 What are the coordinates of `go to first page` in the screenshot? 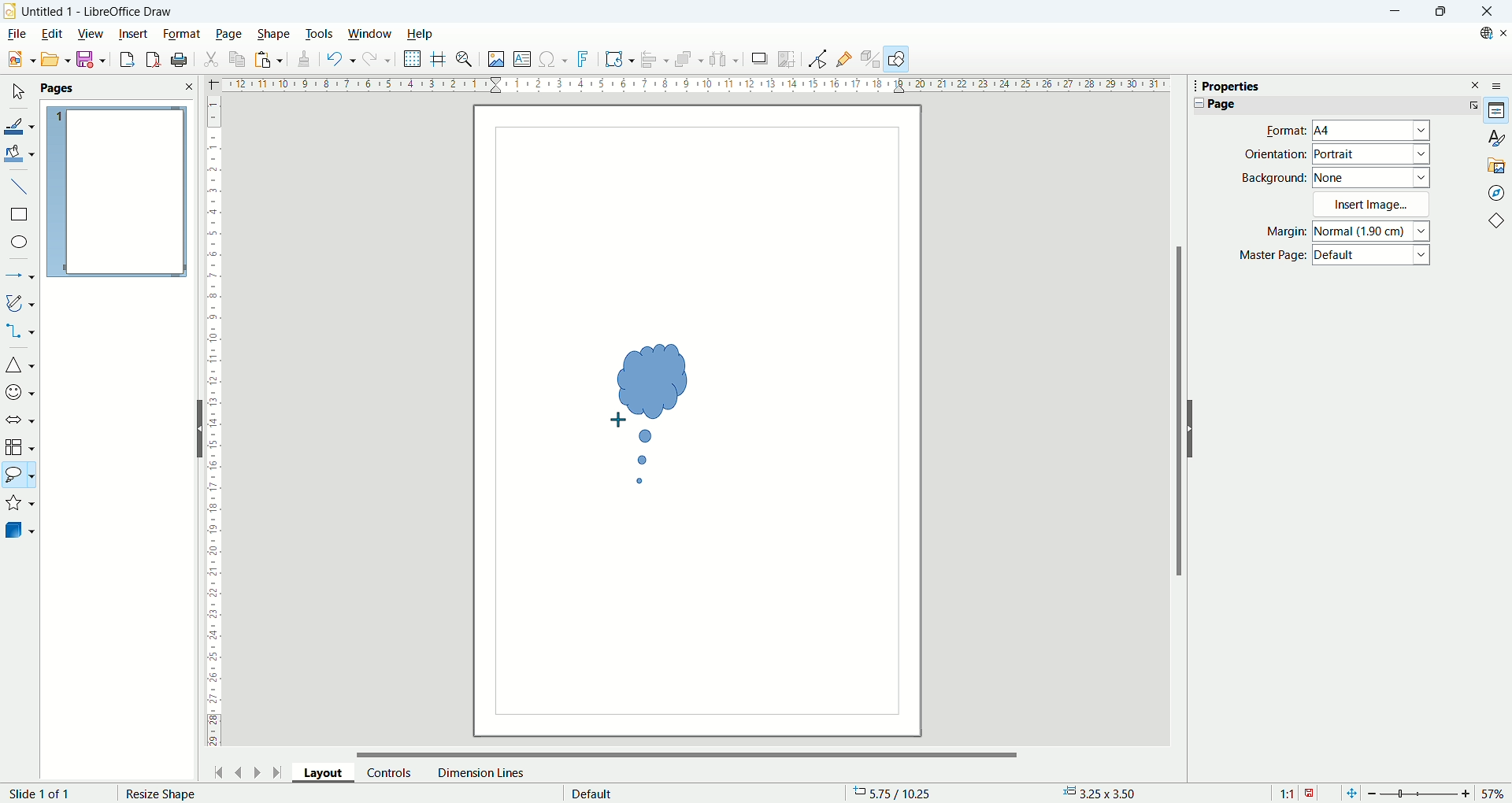 It's located at (220, 771).